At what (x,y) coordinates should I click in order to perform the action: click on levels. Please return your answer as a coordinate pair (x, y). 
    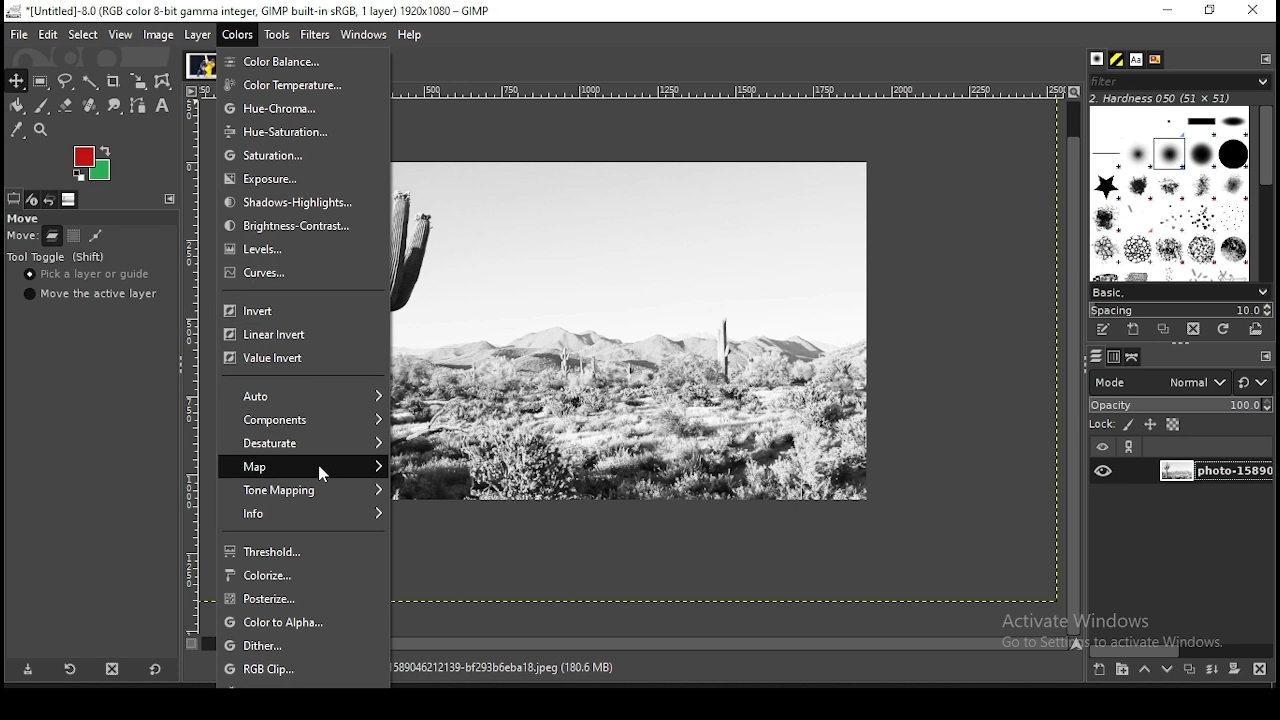
    Looking at the image, I should click on (300, 250).